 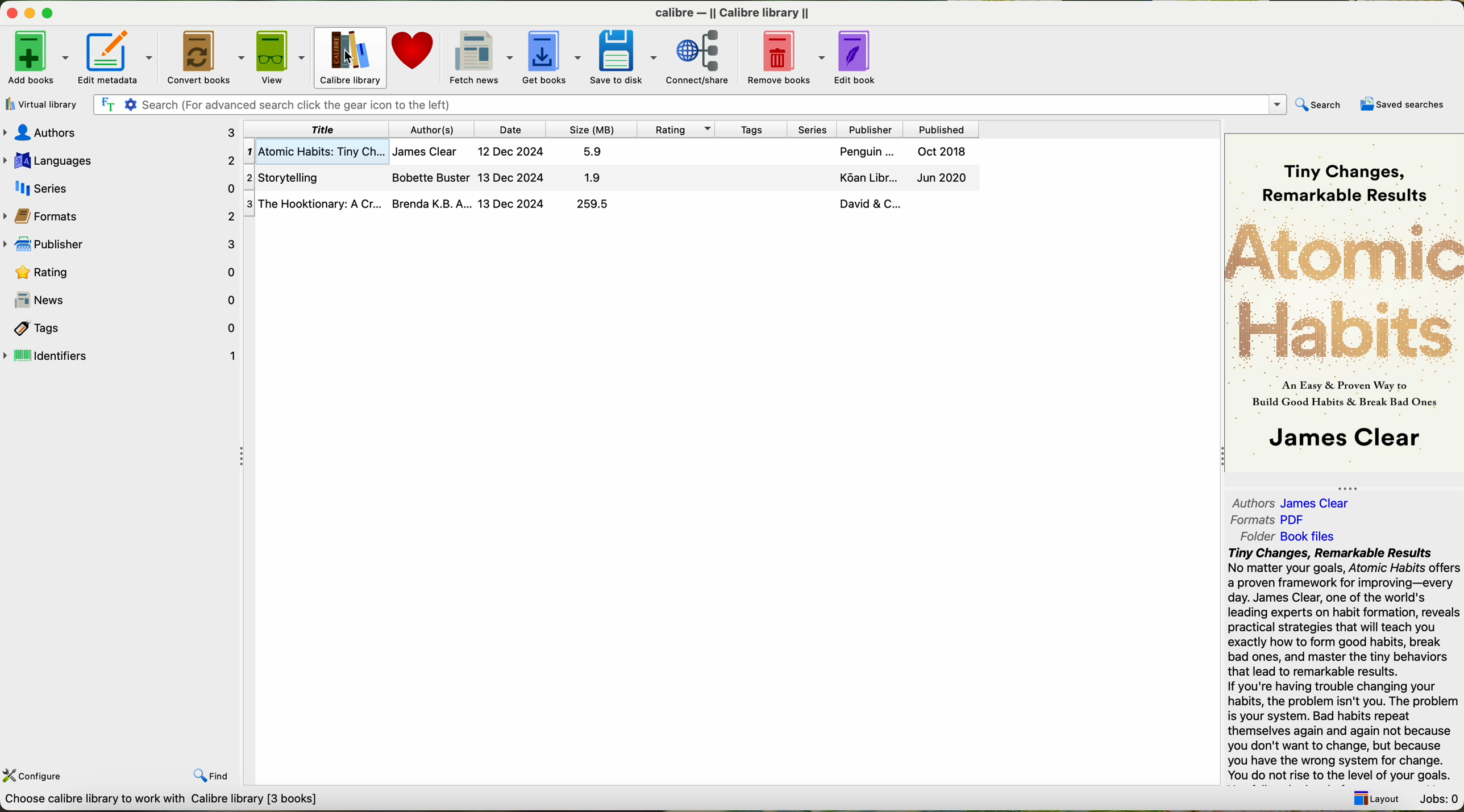 What do you see at coordinates (749, 128) in the screenshot?
I see `tags` at bounding box center [749, 128].